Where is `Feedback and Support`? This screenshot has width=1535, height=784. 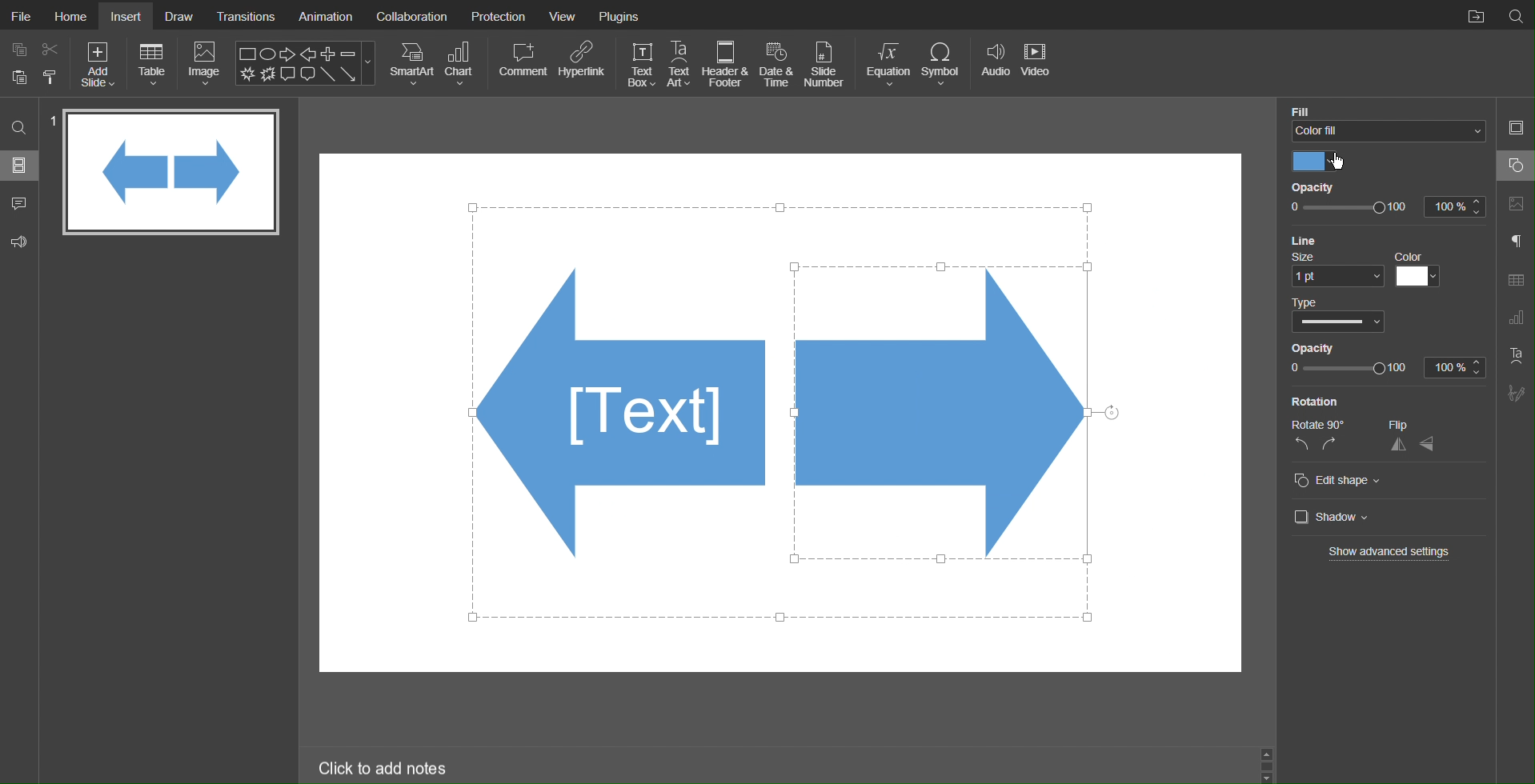
Feedback and Support is located at coordinates (20, 239).